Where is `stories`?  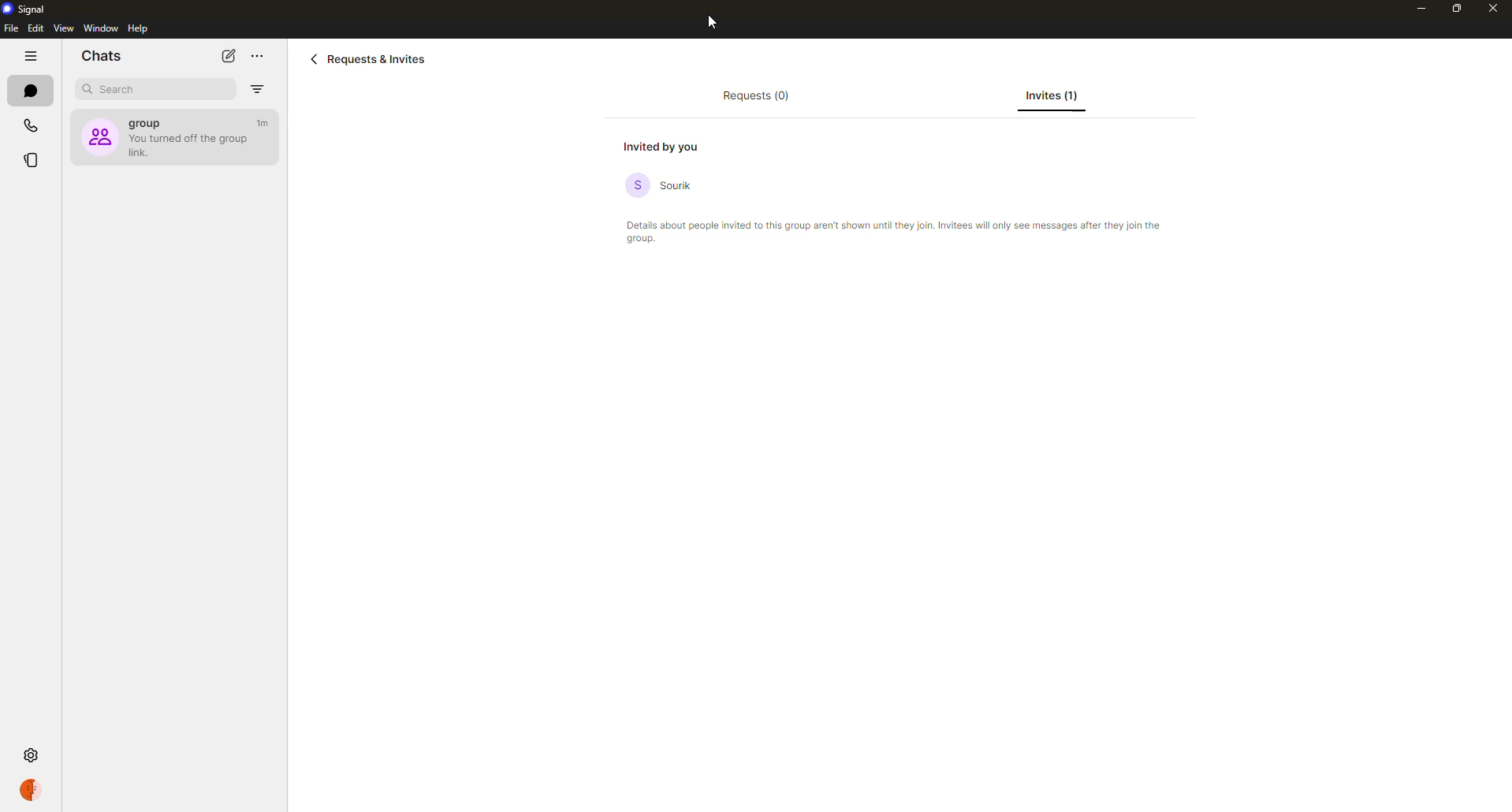
stories is located at coordinates (33, 158).